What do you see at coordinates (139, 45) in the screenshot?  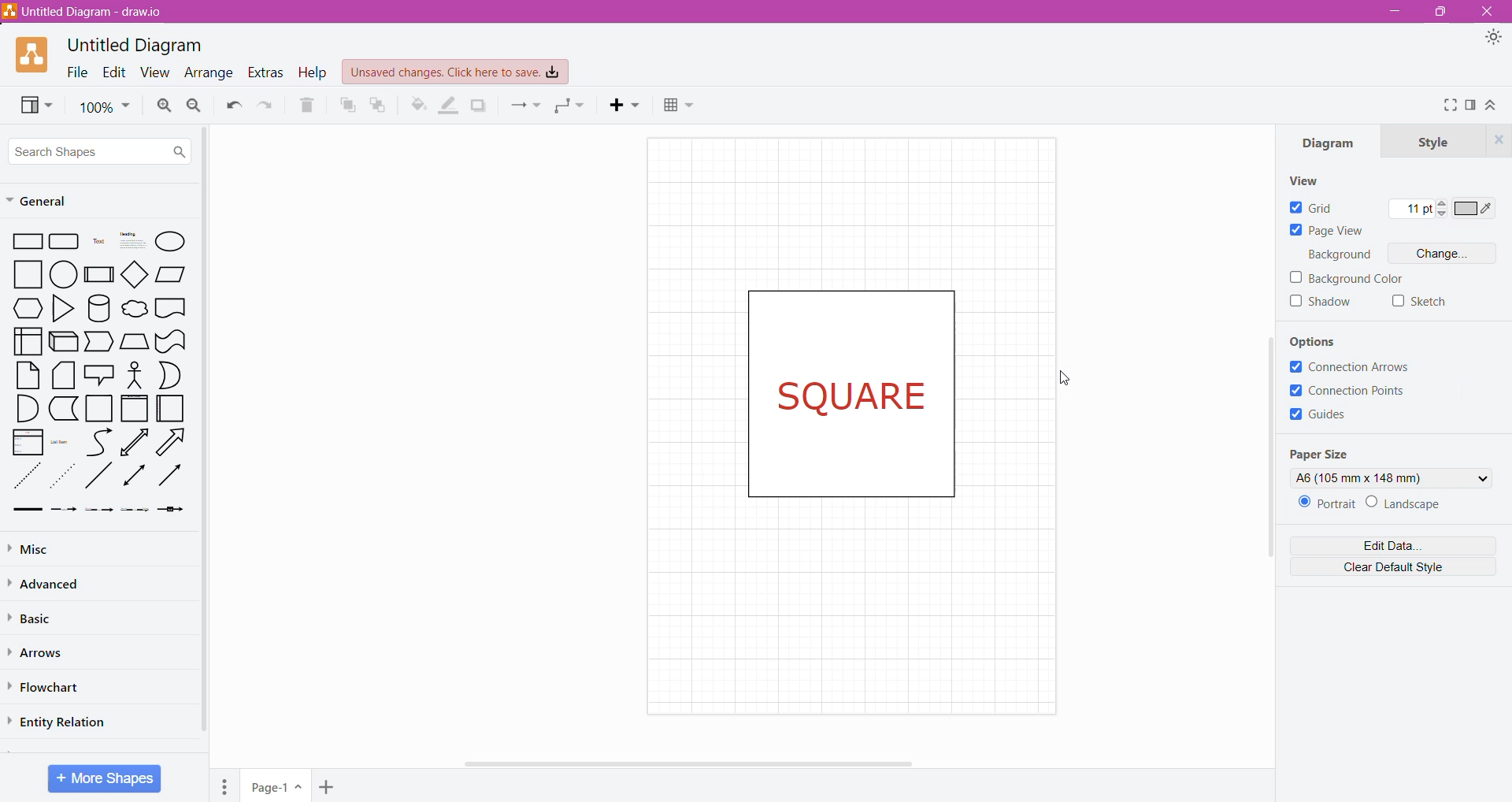 I see `Untitled Diagram` at bounding box center [139, 45].